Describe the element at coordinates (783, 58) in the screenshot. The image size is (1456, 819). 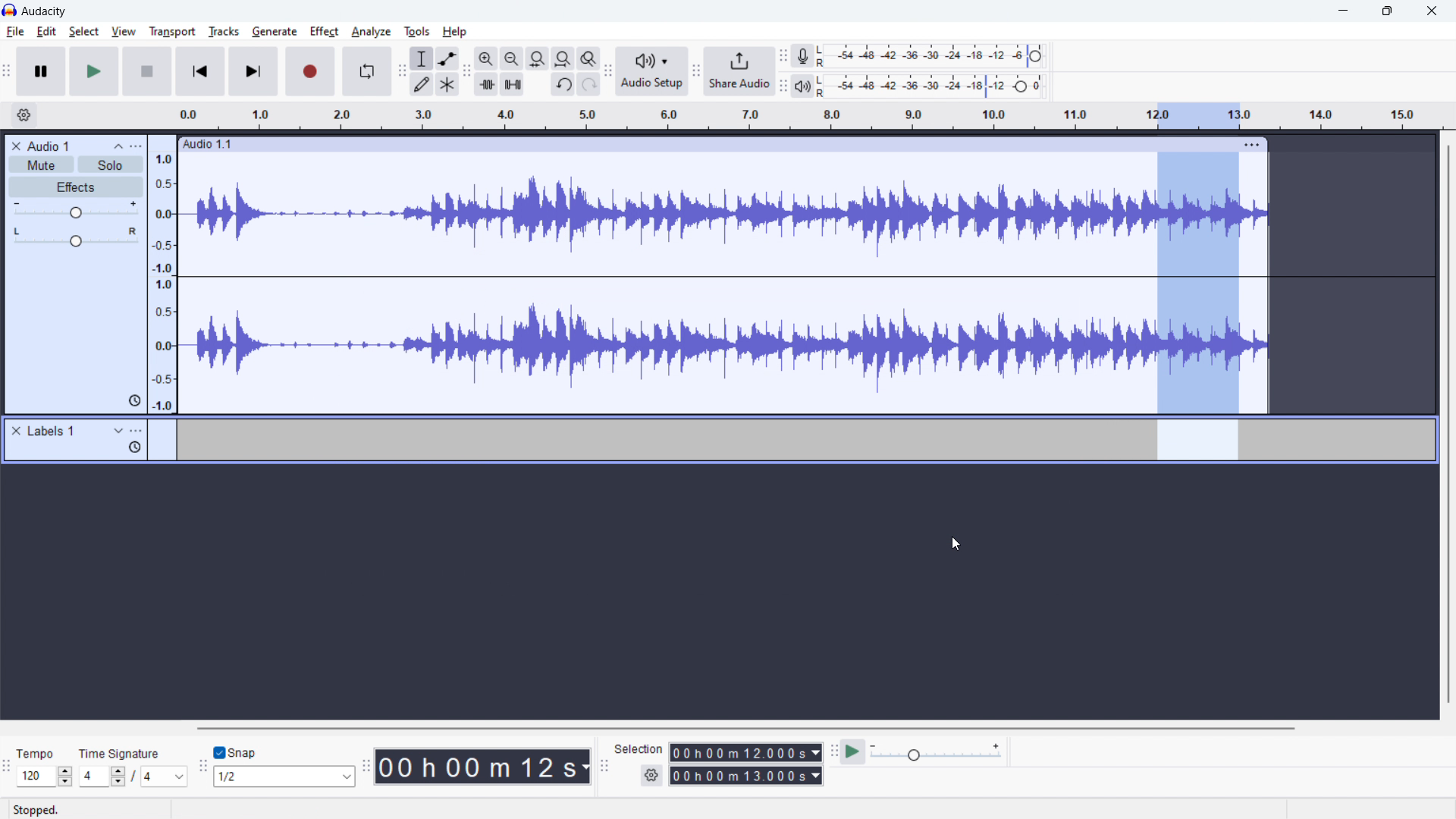
I see `recording meter toolbar` at that location.